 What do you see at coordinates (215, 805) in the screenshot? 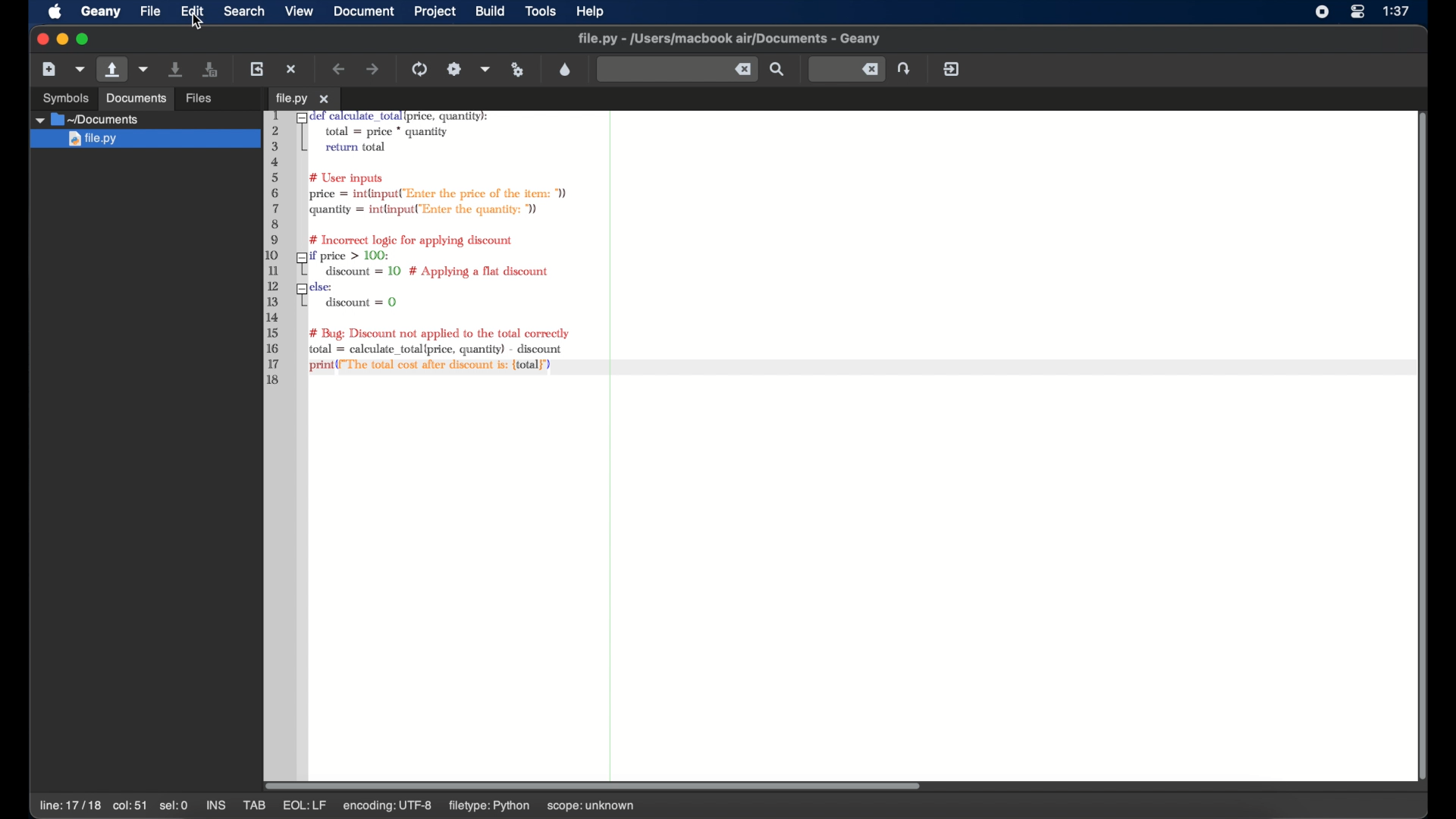
I see `ins` at bounding box center [215, 805].